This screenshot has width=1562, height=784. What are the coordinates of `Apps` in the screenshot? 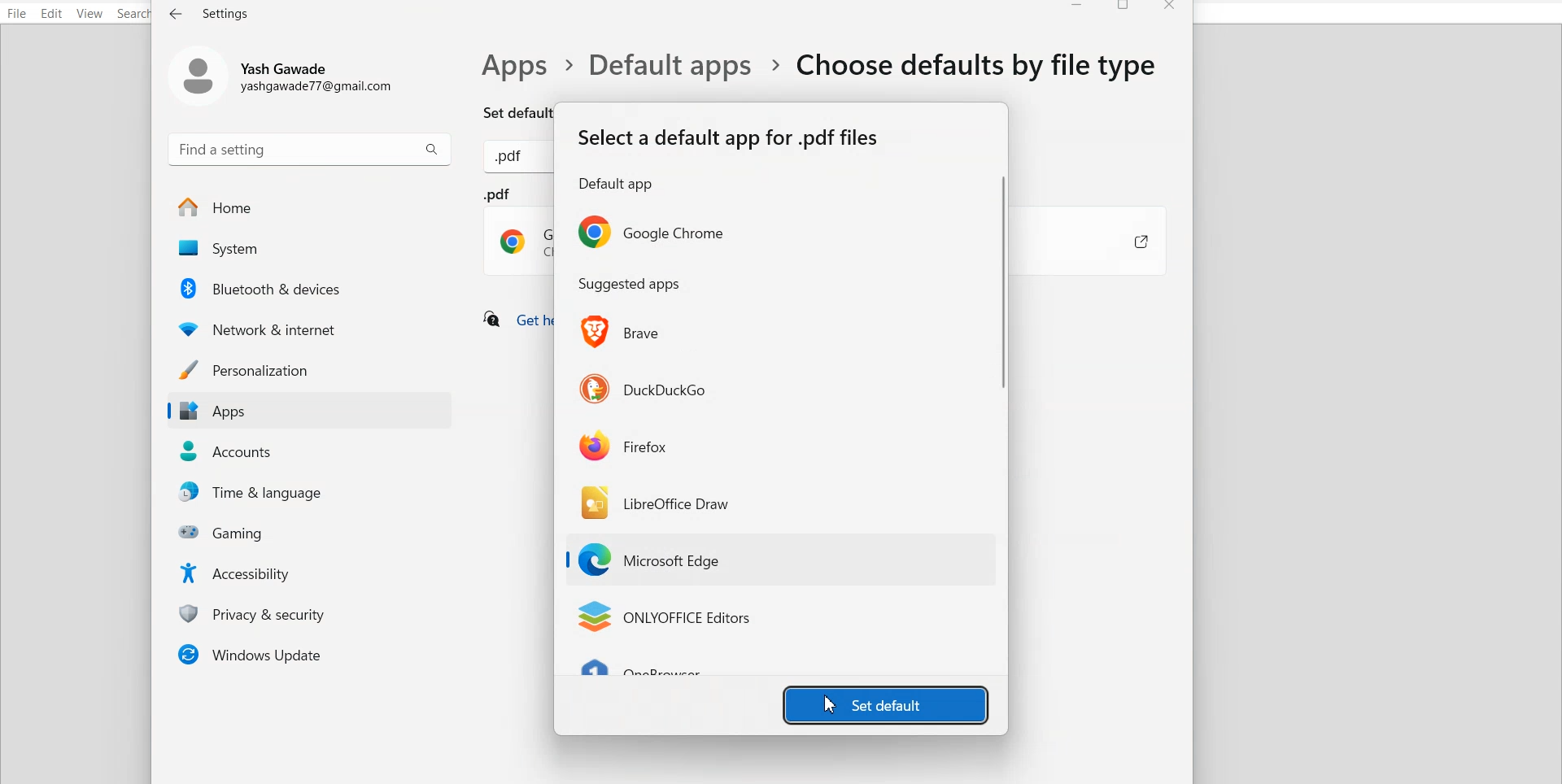 It's located at (308, 412).